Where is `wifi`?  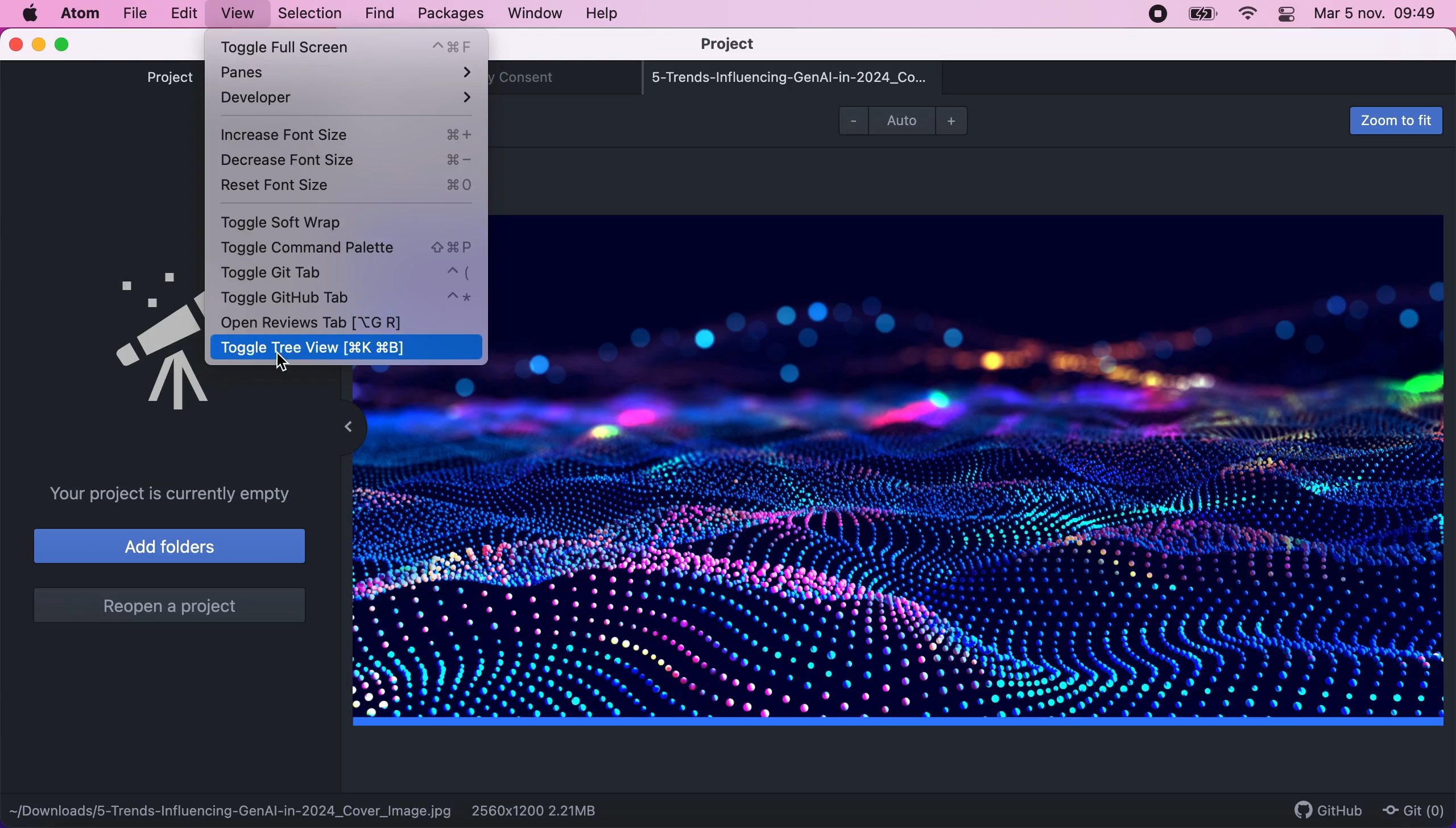 wifi is located at coordinates (1248, 16).